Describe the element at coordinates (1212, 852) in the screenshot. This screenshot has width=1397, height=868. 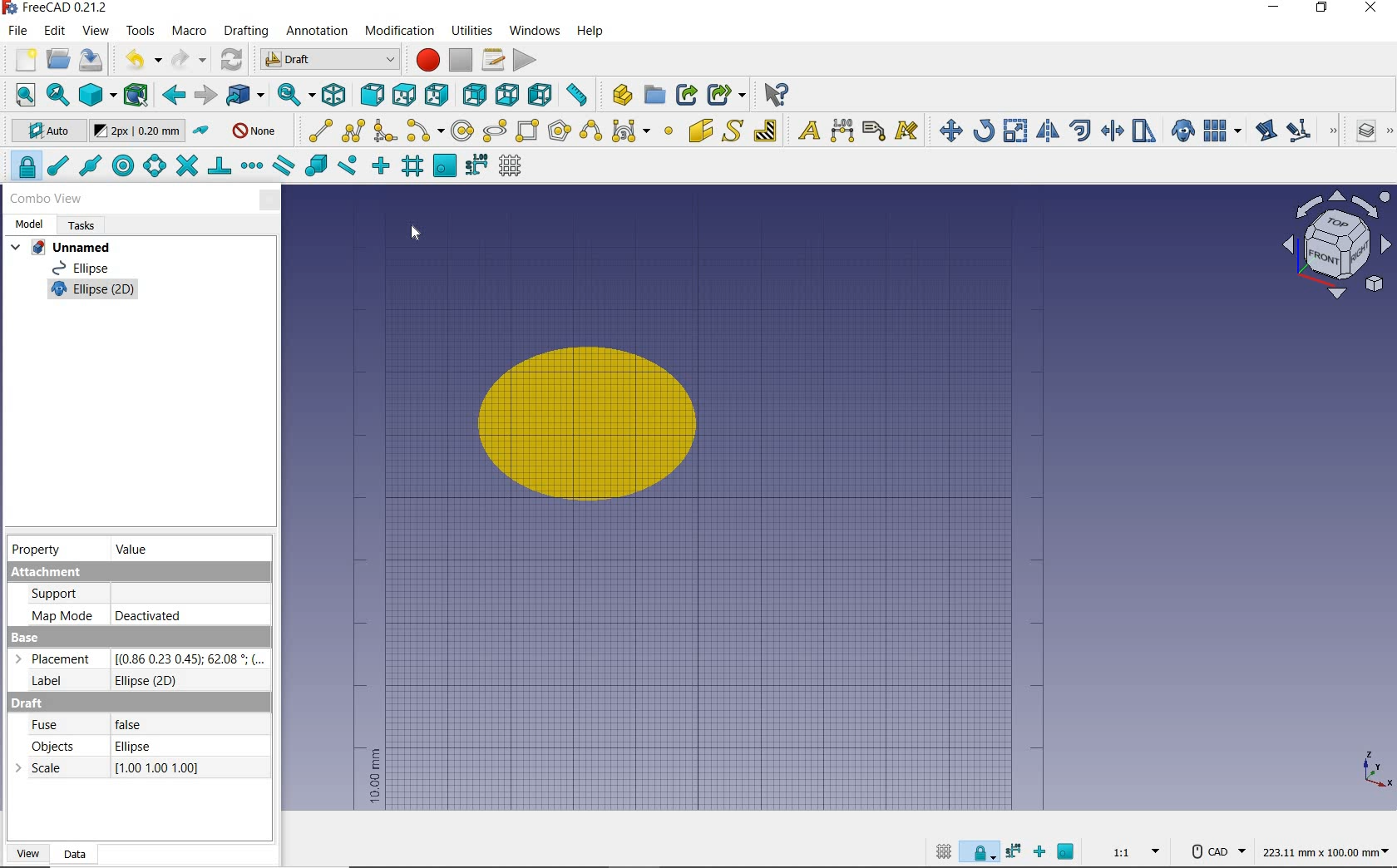
I see `CAD Navigation Style` at that location.